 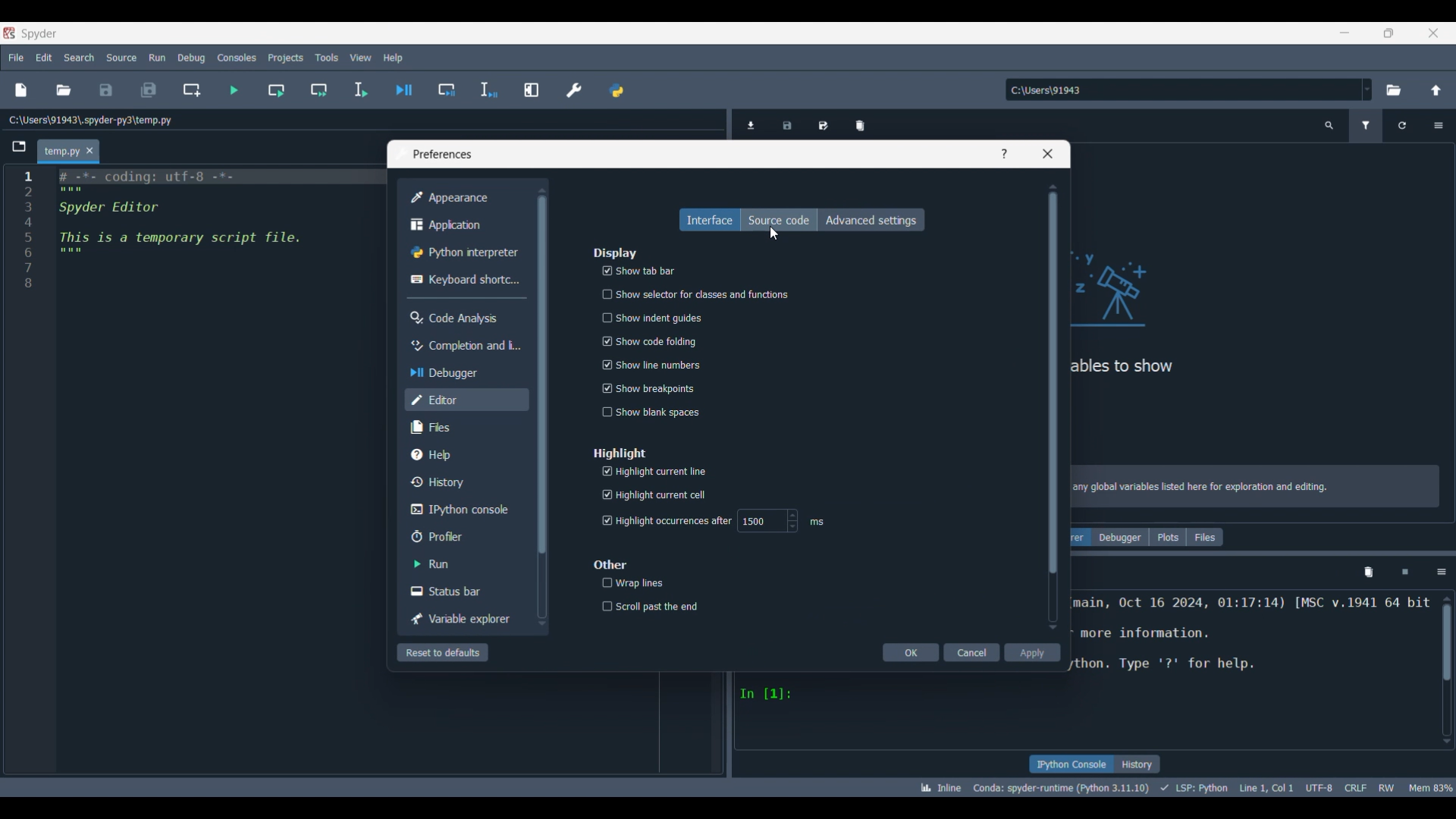 I want to click on scroll past the end, so click(x=661, y=607).